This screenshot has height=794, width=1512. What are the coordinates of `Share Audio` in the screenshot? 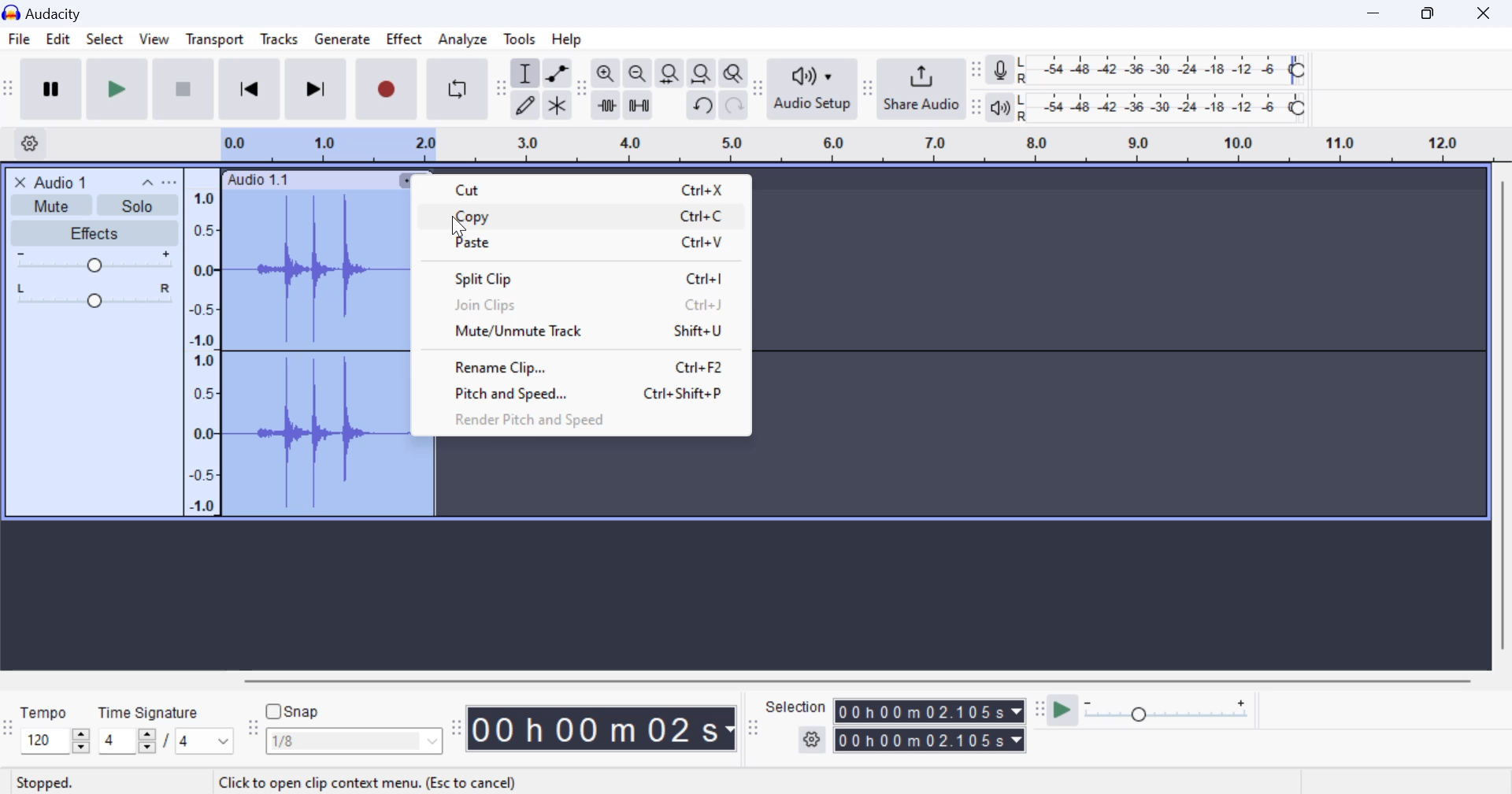 It's located at (921, 88).